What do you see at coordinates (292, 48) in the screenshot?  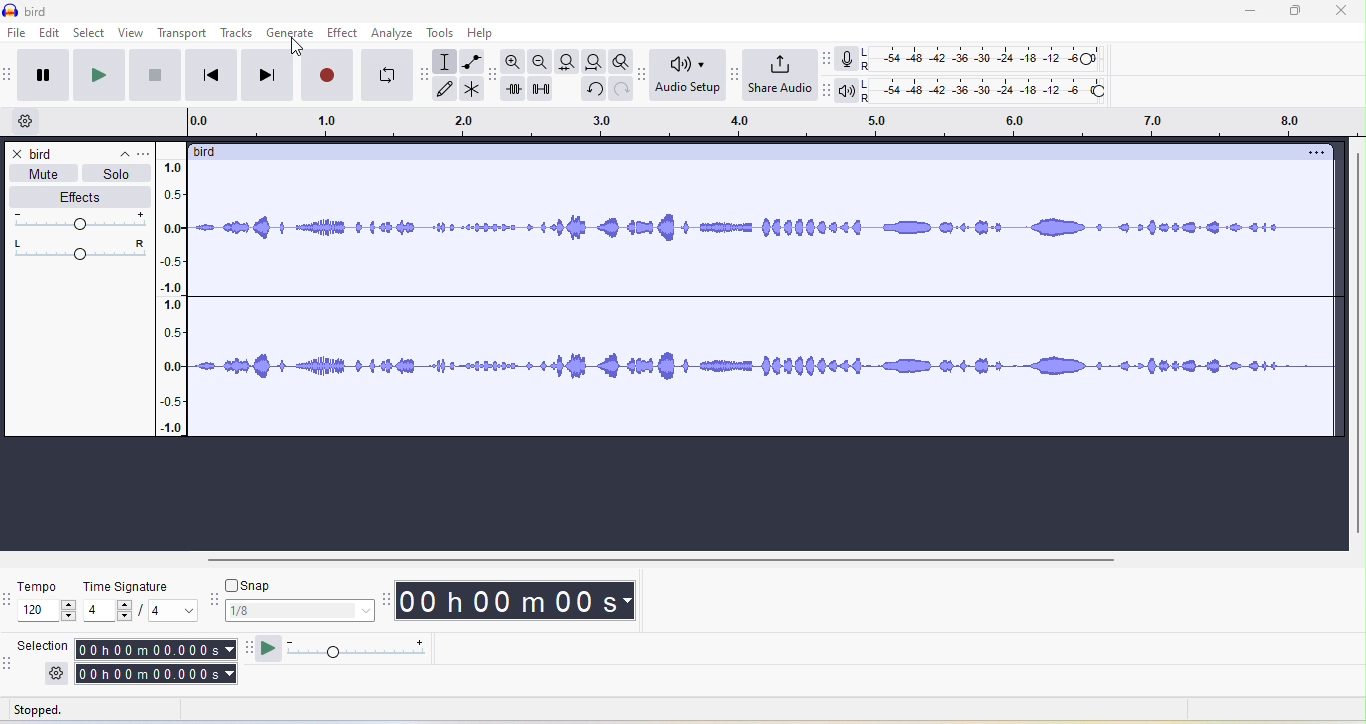 I see `cursor` at bounding box center [292, 48].